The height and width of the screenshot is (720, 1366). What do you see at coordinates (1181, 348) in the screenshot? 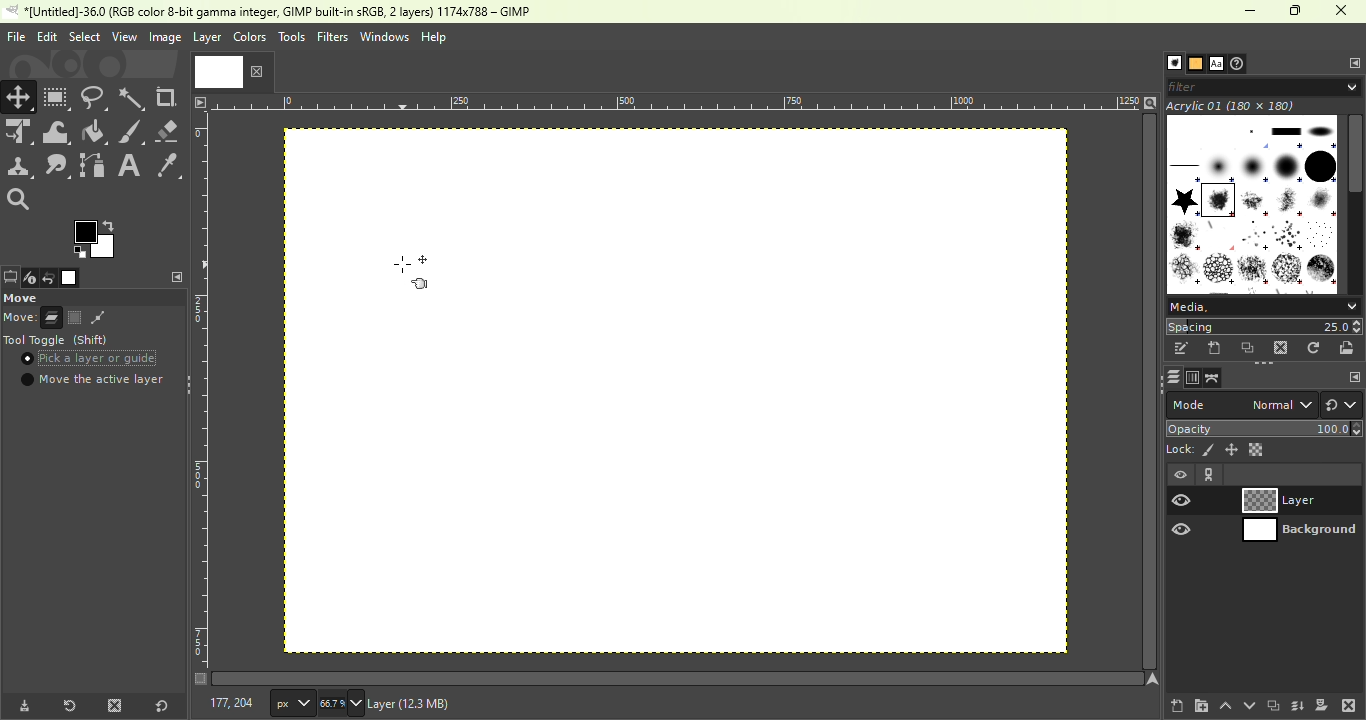
I see `Edit this brush` at bounding box center [1181, 348].